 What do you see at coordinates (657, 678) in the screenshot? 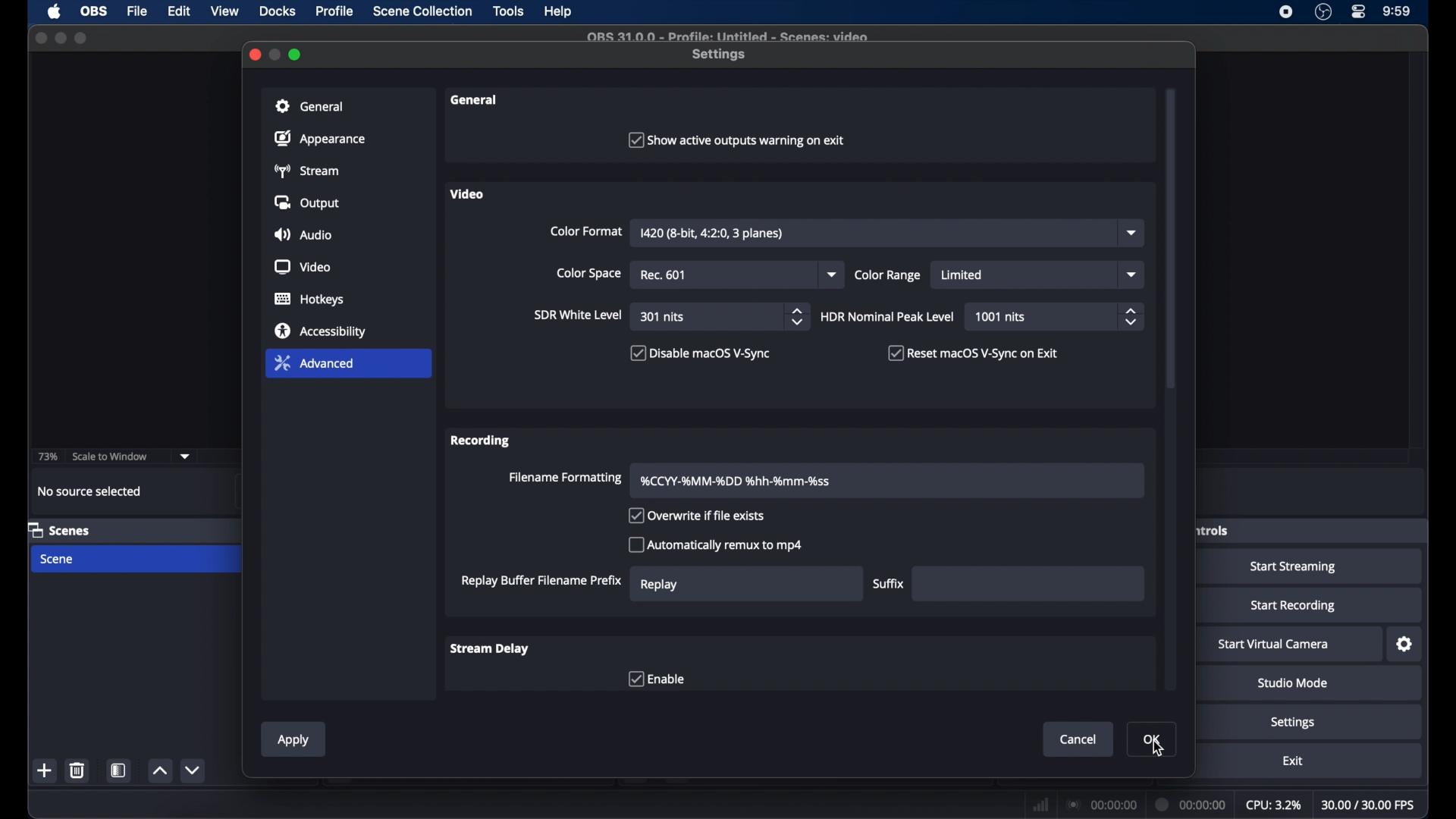
I see `checkbox` at bounding box center [657, 678].